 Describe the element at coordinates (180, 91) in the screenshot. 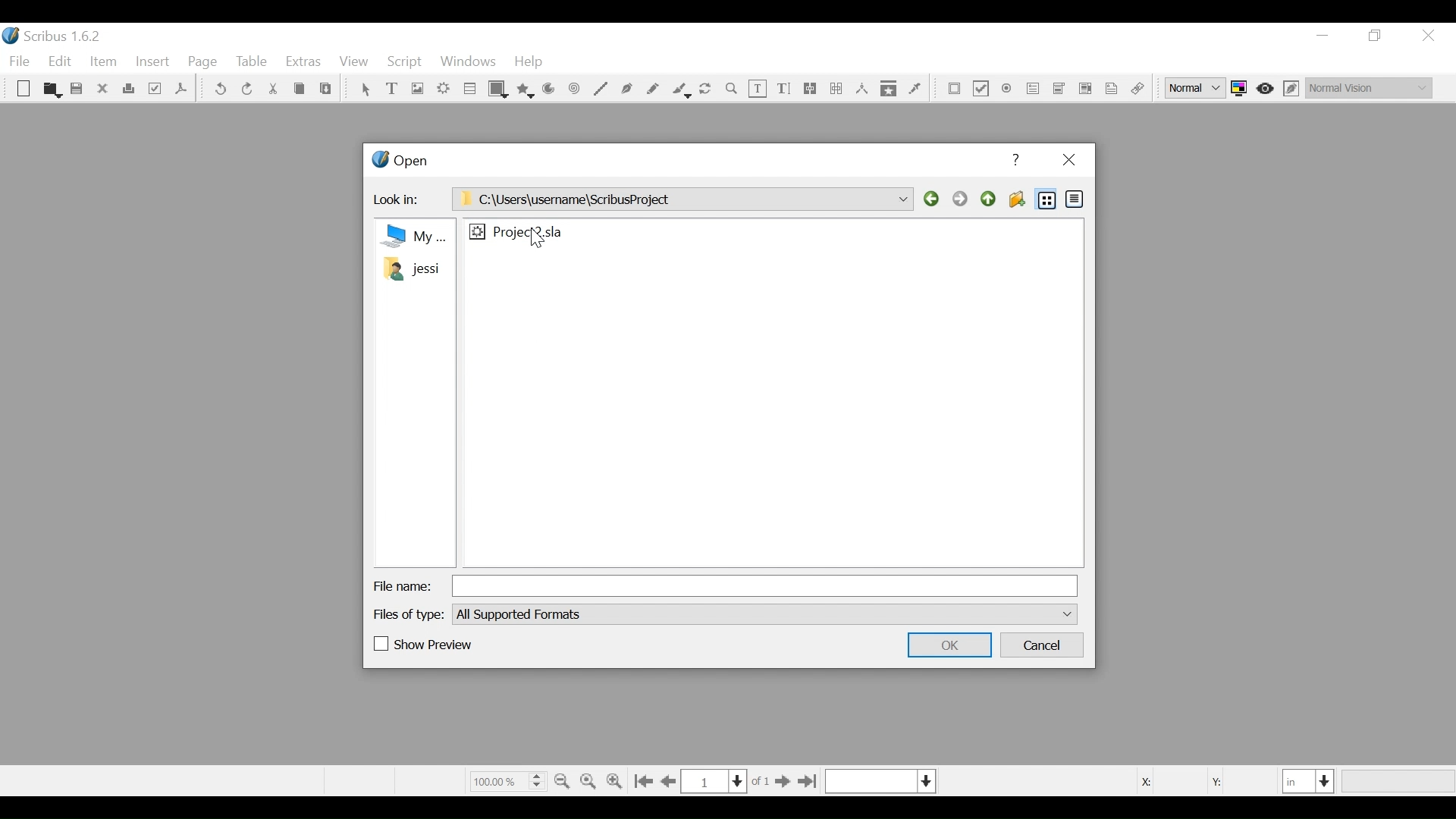

I see `Save as PDF` at that location.